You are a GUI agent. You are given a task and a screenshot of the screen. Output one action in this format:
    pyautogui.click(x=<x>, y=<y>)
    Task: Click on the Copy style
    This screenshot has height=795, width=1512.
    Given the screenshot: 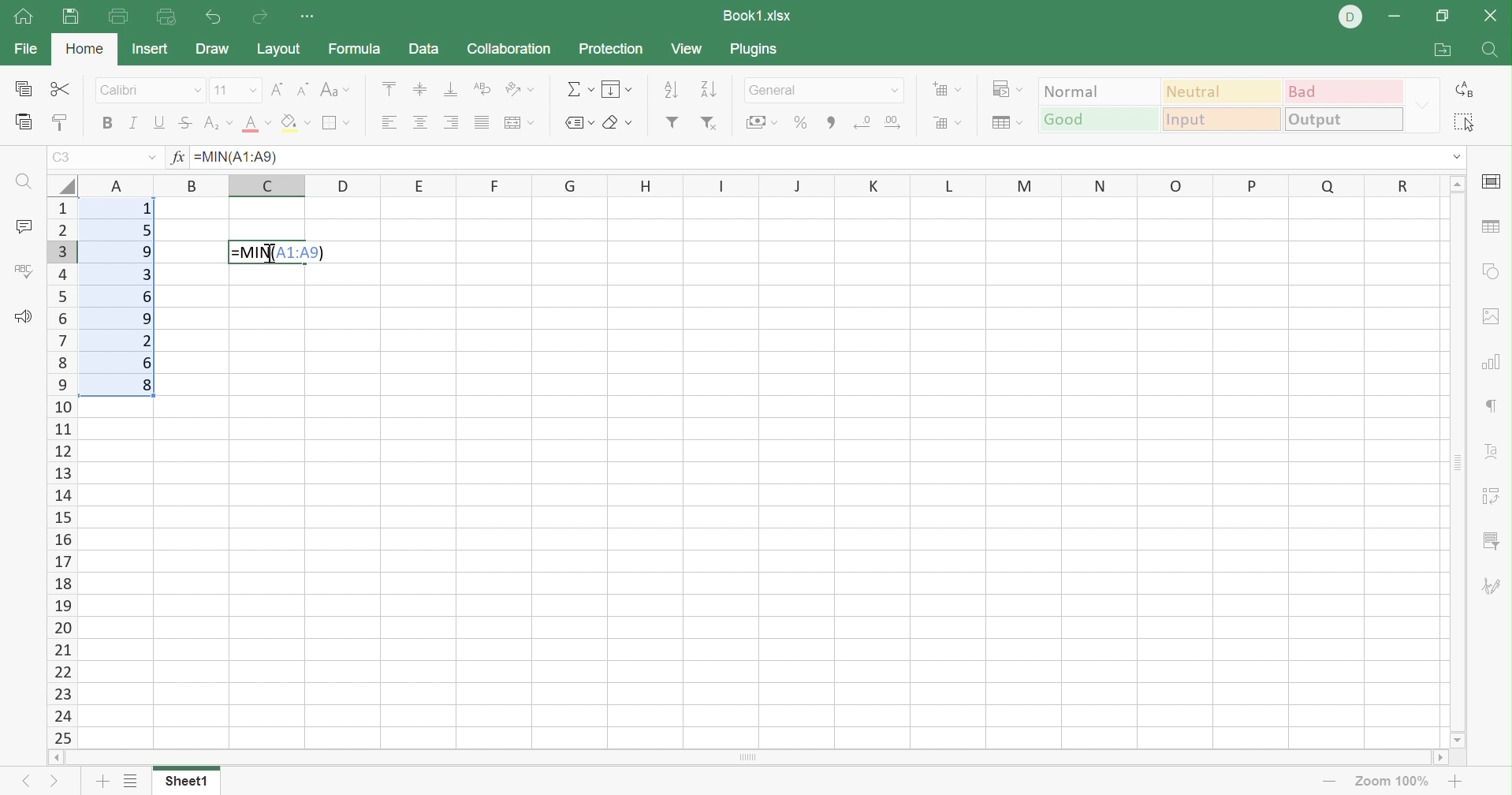 What is the action you would take?
    pyautogui.click(x=61, y=125)
    